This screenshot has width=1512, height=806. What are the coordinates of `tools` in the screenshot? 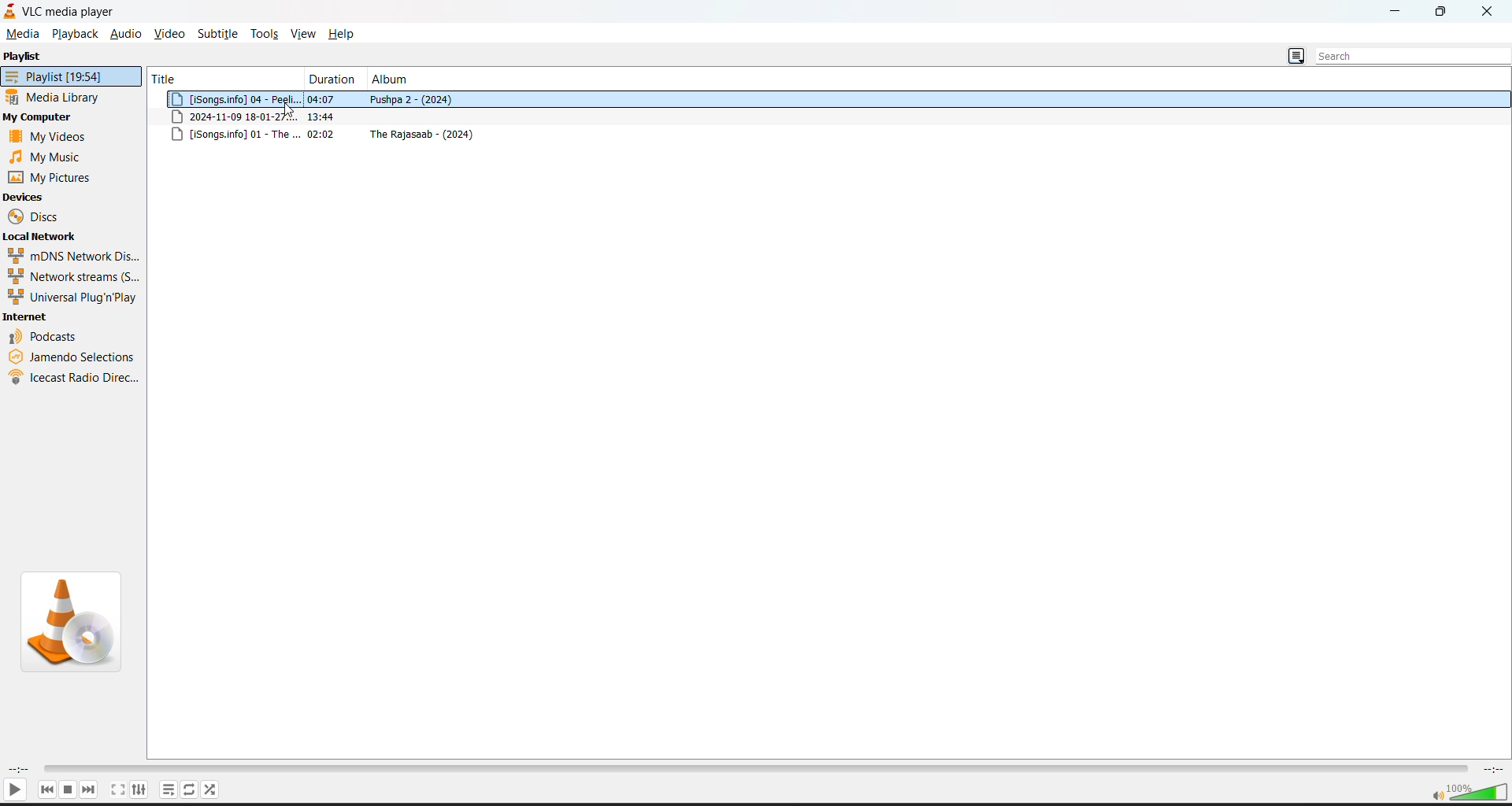 It's located at (265, 35).